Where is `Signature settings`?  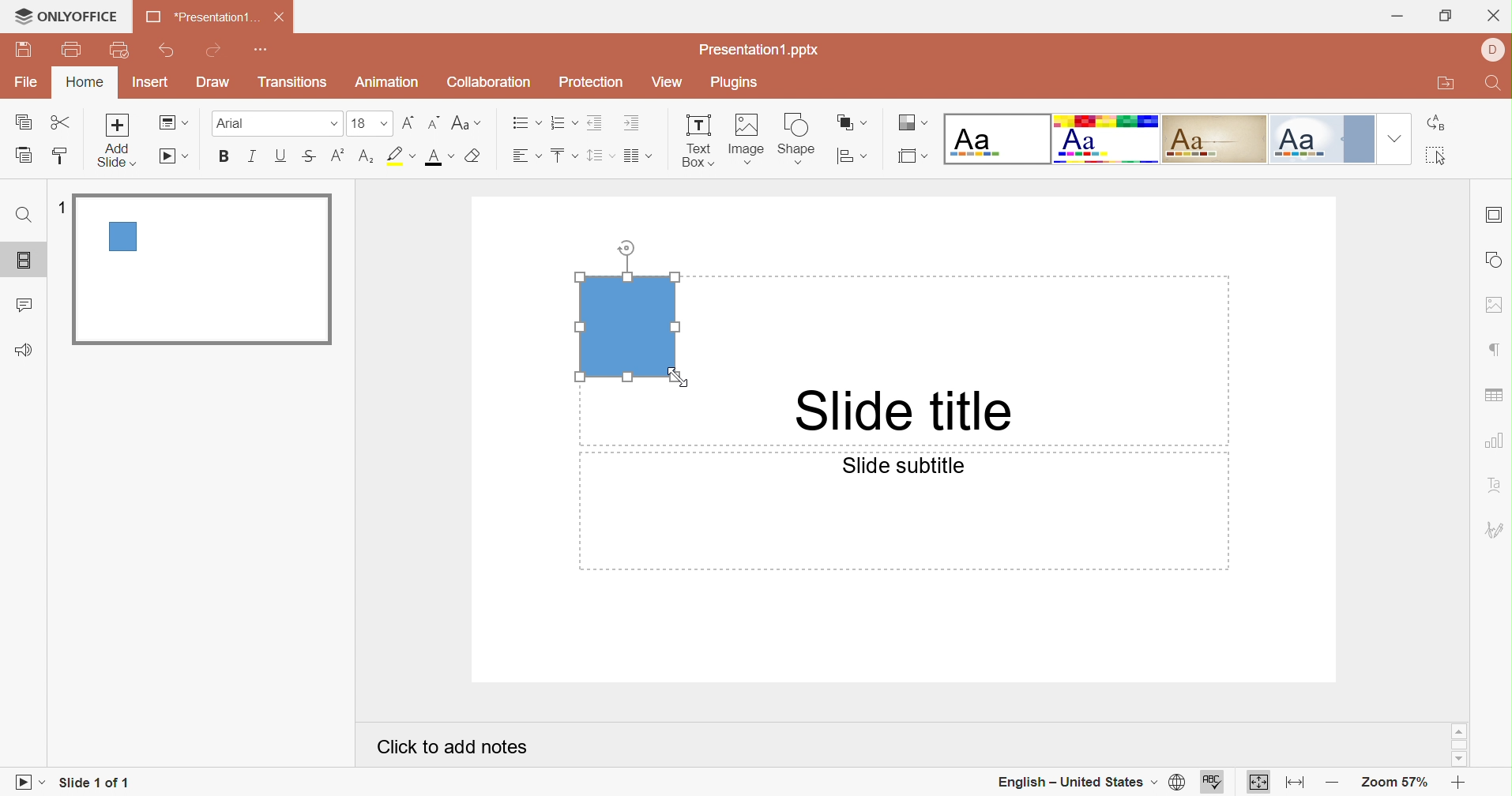
Signature settings is located at coordinates (1495, 531).